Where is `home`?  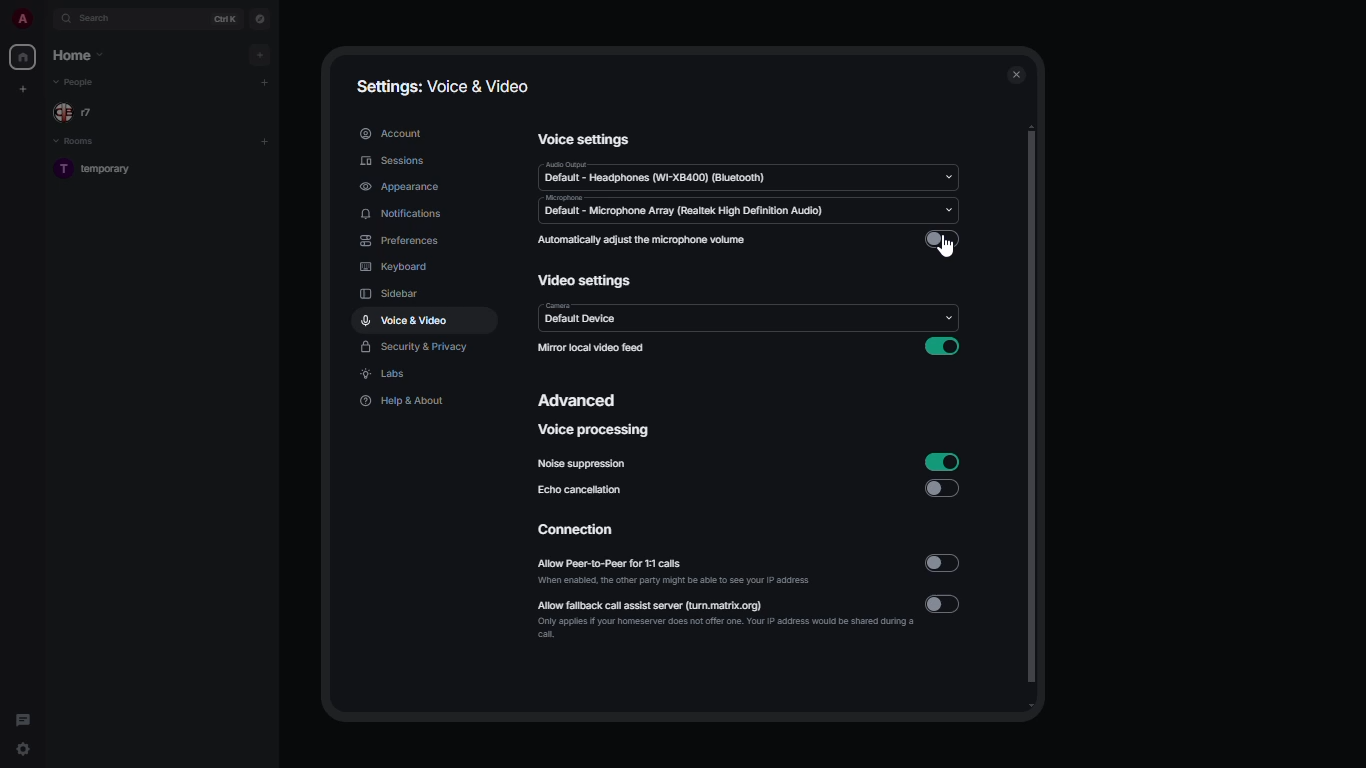 home is located at coordinates (24, 56).